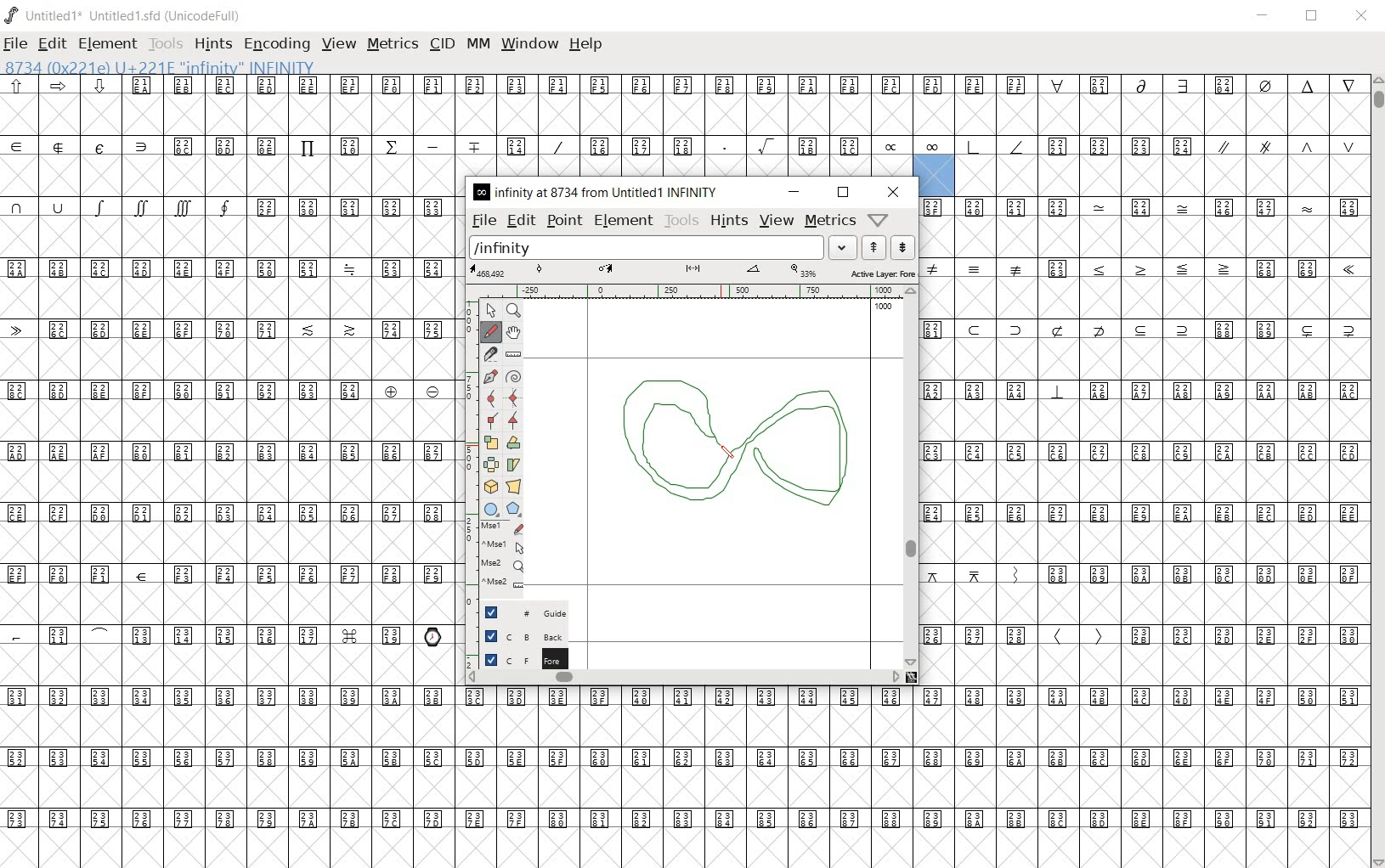 The image size is (1385, 868). Describe the element at coordinates (727, 222) in the screenshot. I see `hints` at that location.